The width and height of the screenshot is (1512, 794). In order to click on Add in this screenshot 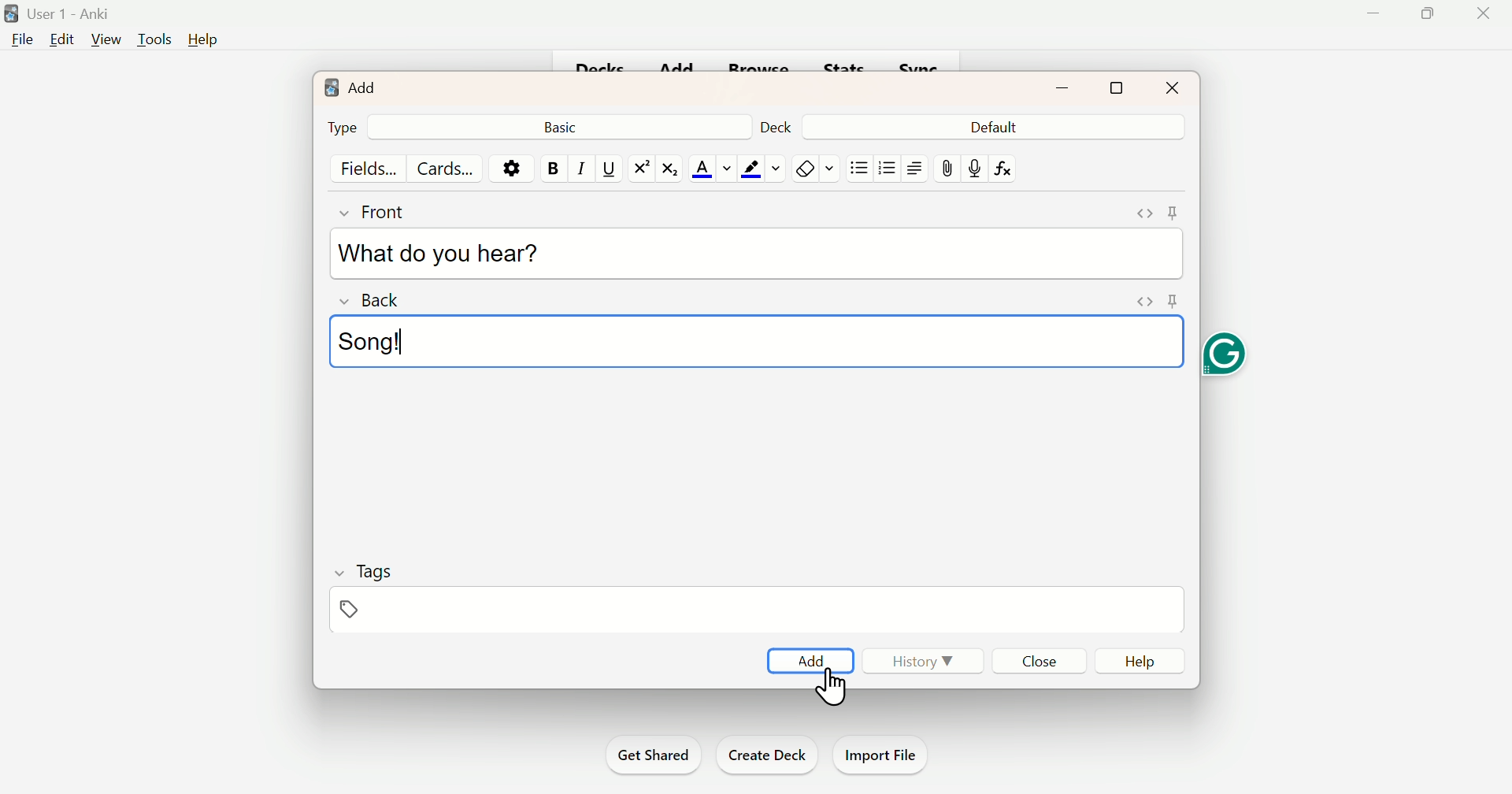, I will do `click(353, 89)`.